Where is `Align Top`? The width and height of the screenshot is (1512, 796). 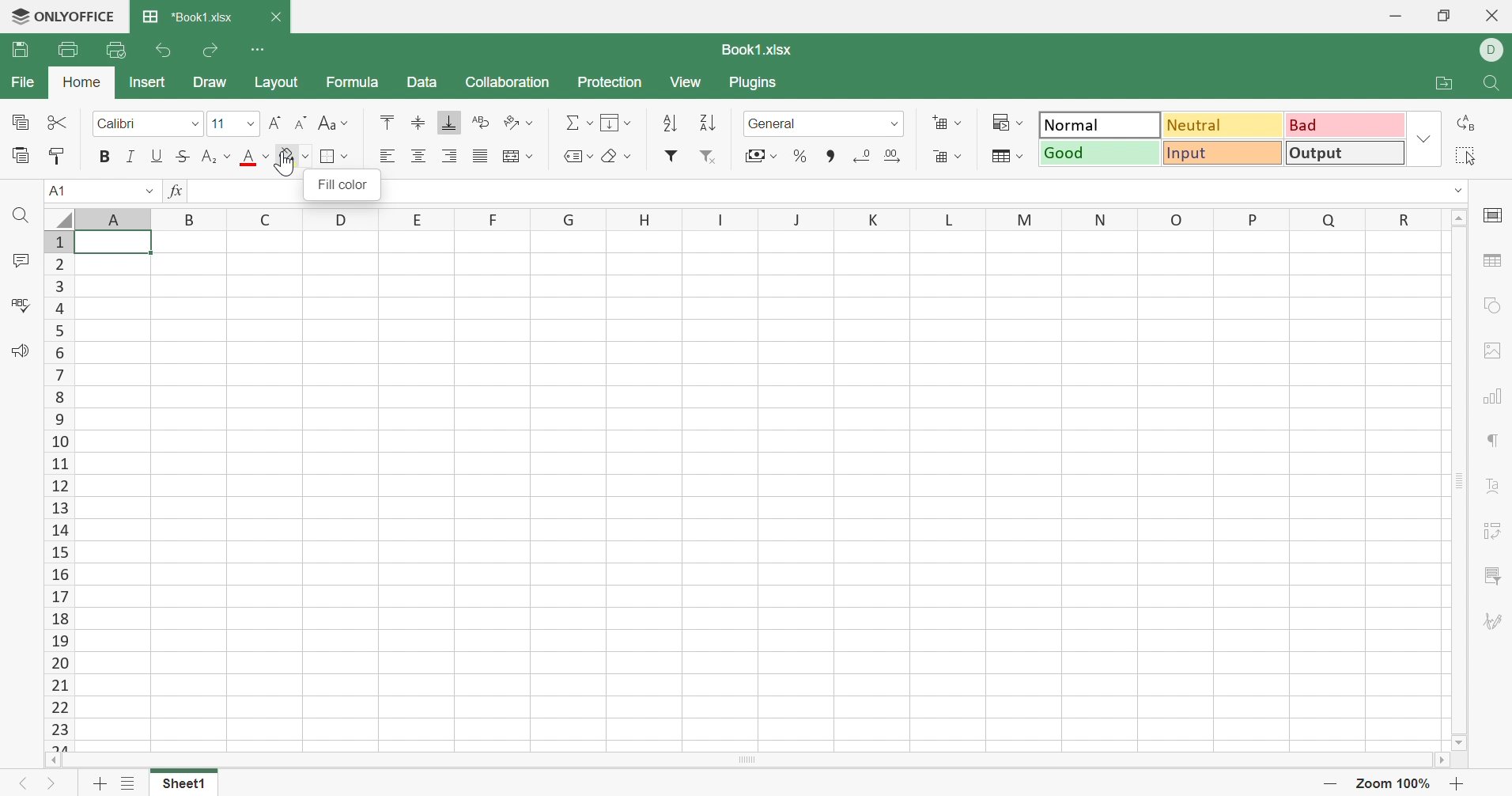
Align Top is located at coordinates (388, 121).